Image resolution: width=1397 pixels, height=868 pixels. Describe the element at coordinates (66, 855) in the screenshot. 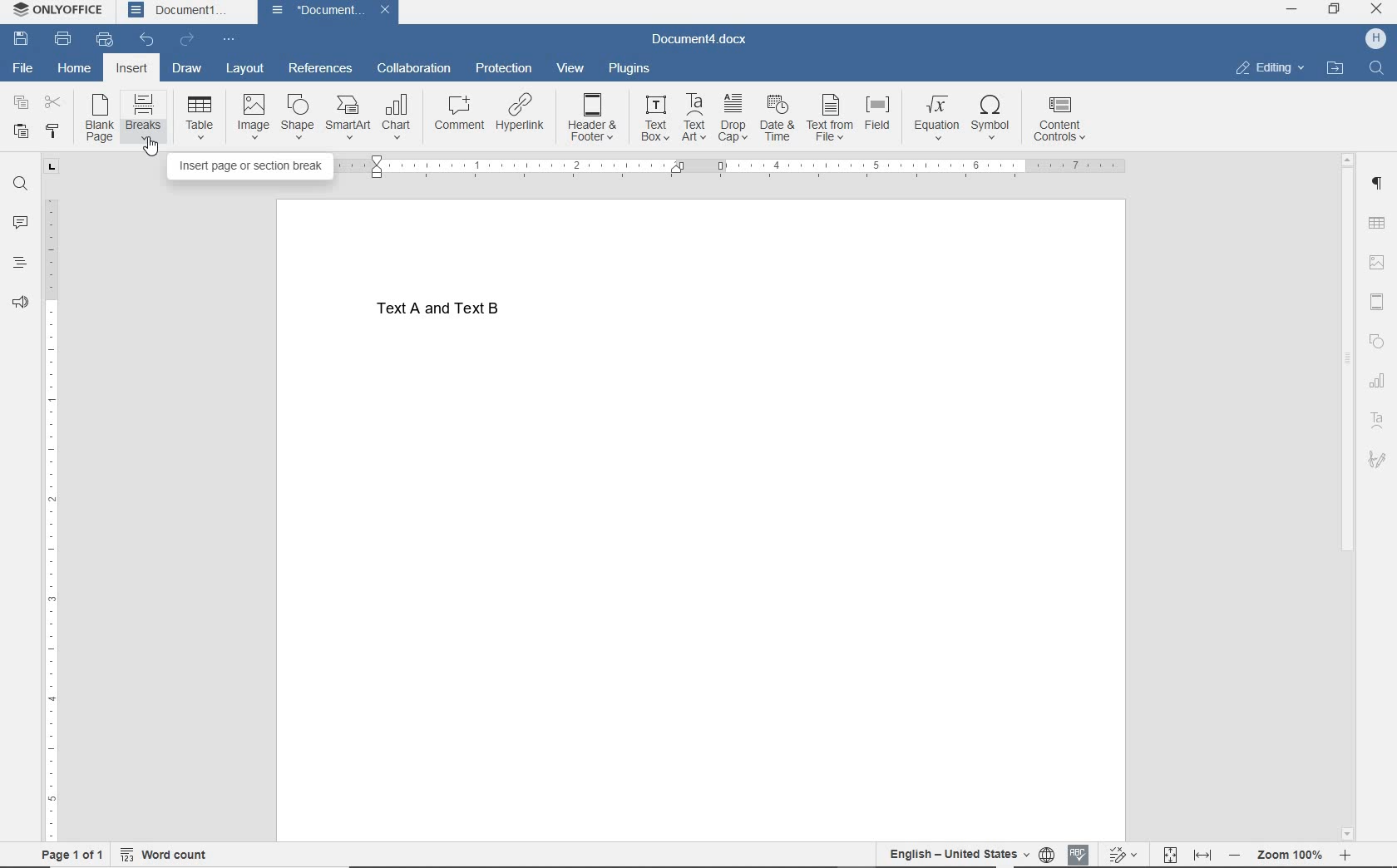

I see `PAGE 1 OF 1` at that location.